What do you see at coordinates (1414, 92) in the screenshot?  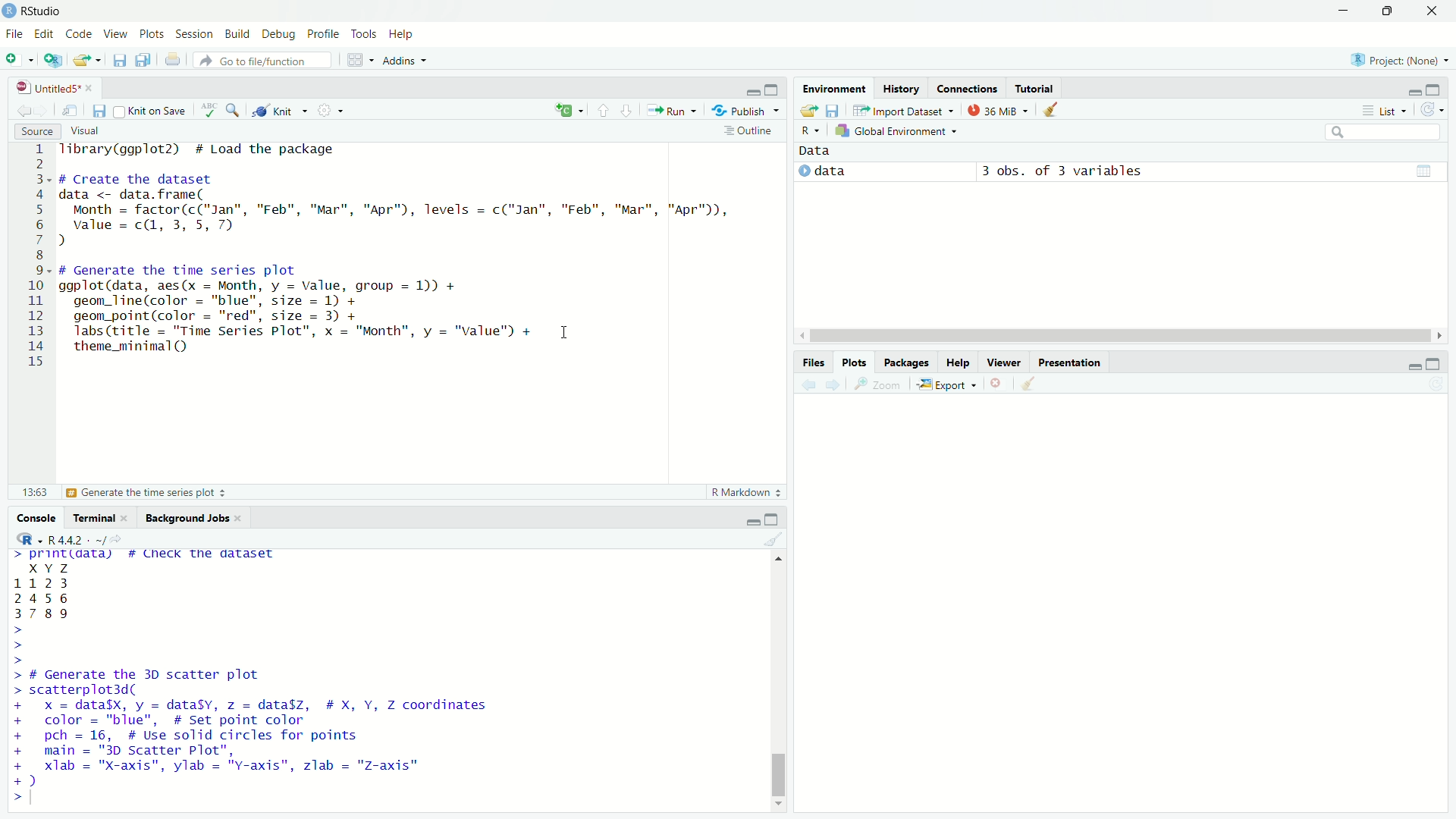 I see `minimize` at bounding box center [1414, 92].